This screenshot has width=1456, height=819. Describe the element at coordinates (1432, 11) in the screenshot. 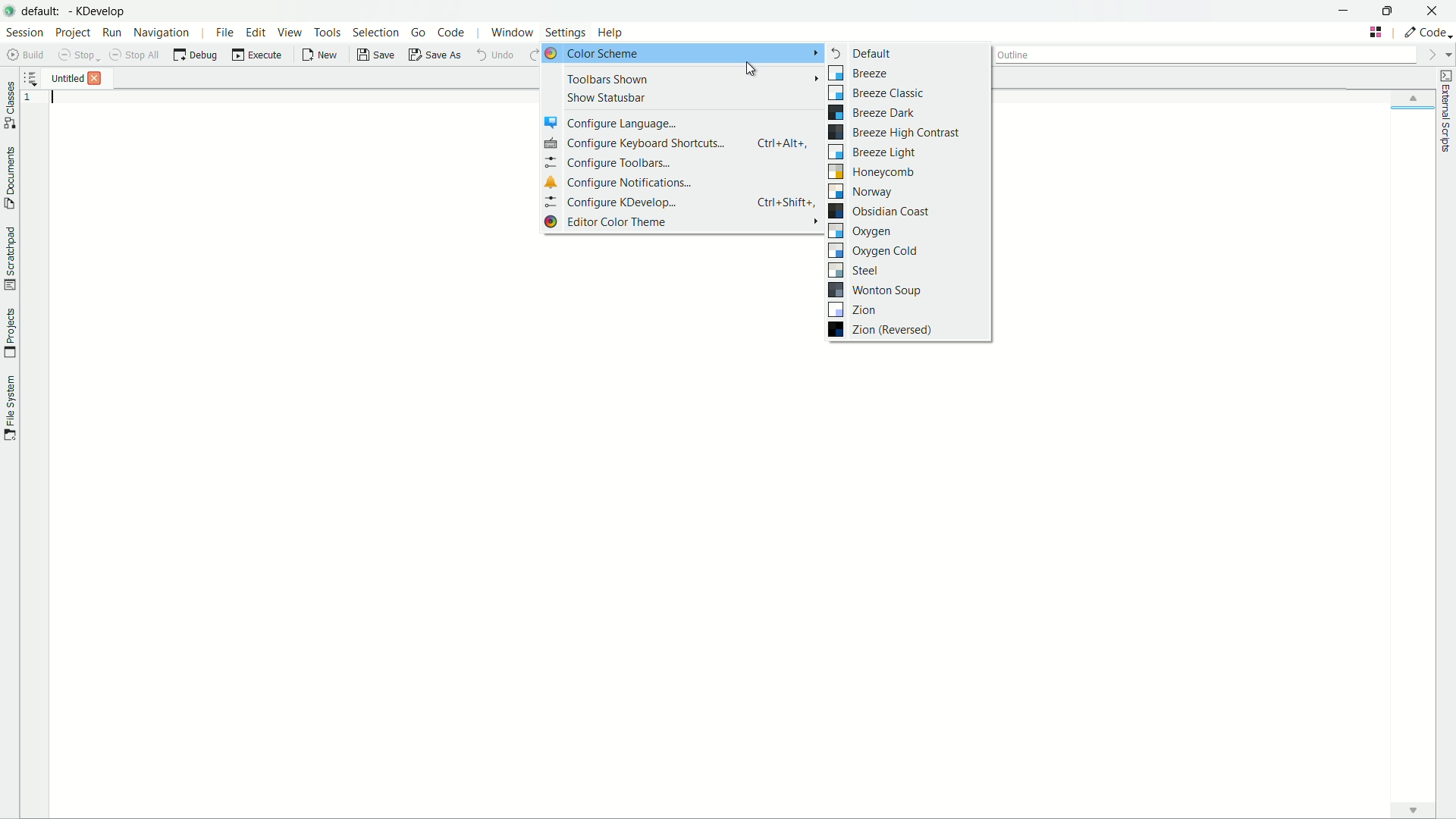

I see `close app` at that location.